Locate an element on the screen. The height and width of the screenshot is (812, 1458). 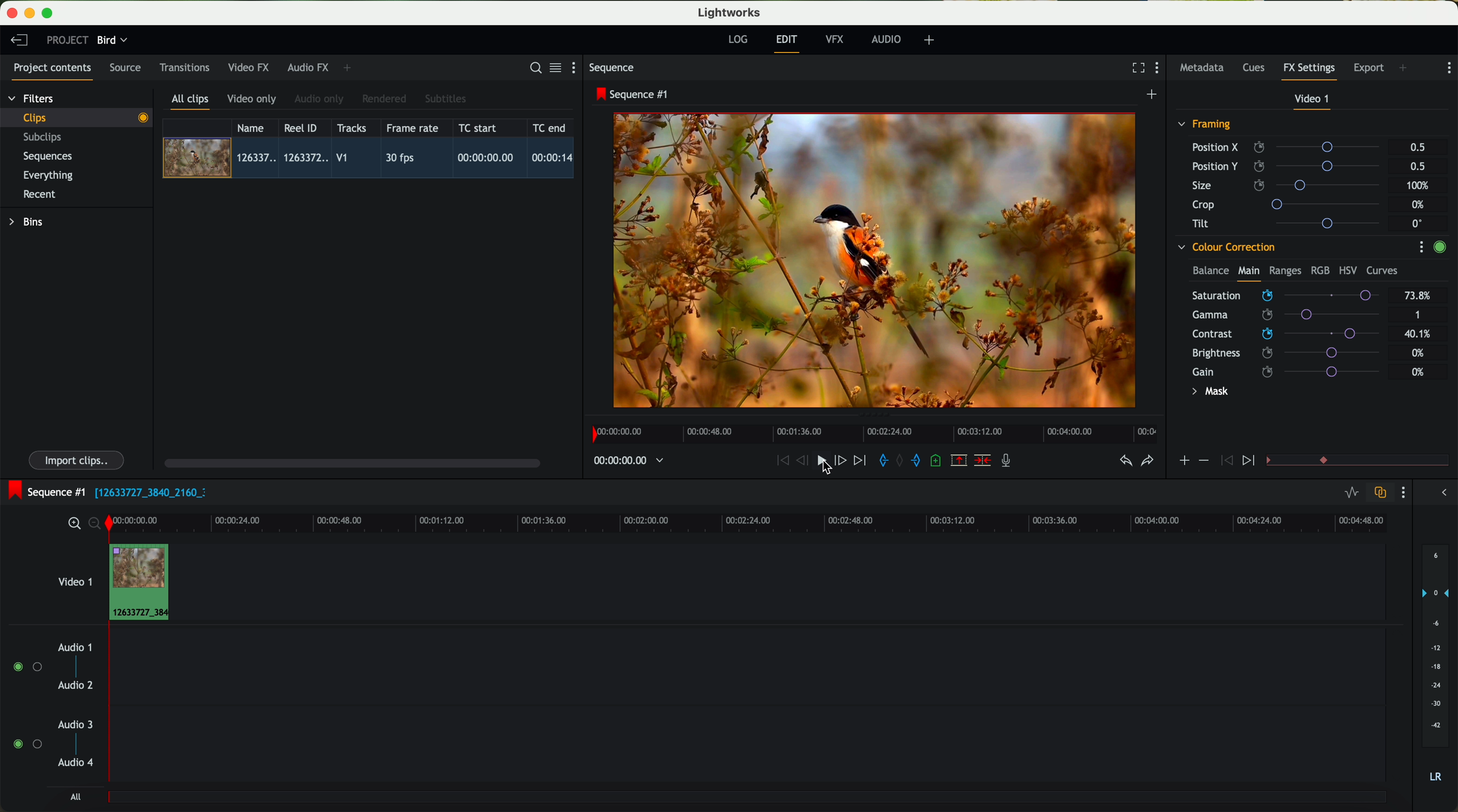
curves is located at coordinates (1382, 271).